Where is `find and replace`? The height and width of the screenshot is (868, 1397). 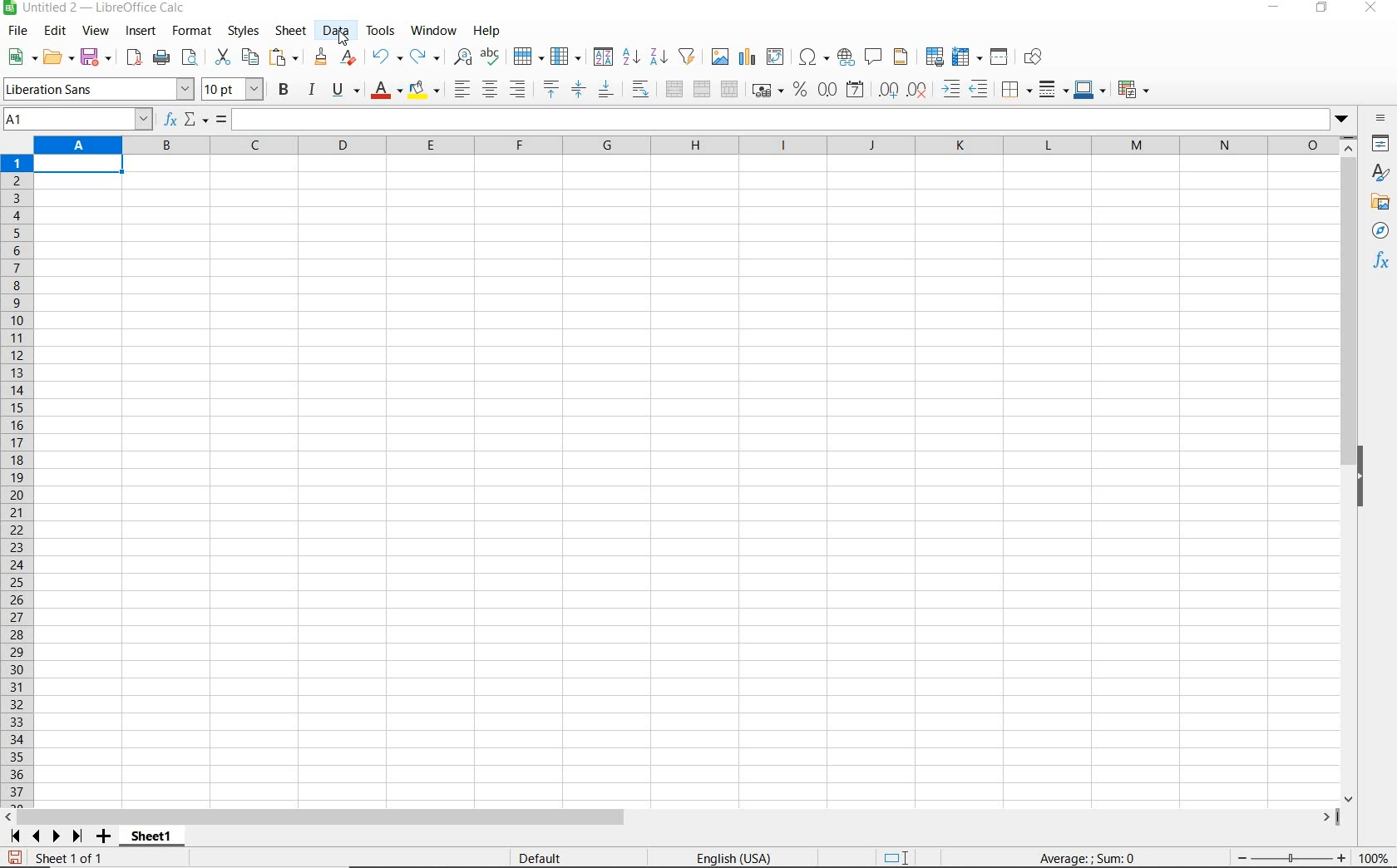 find and replace is located at coordinates (462, 57).